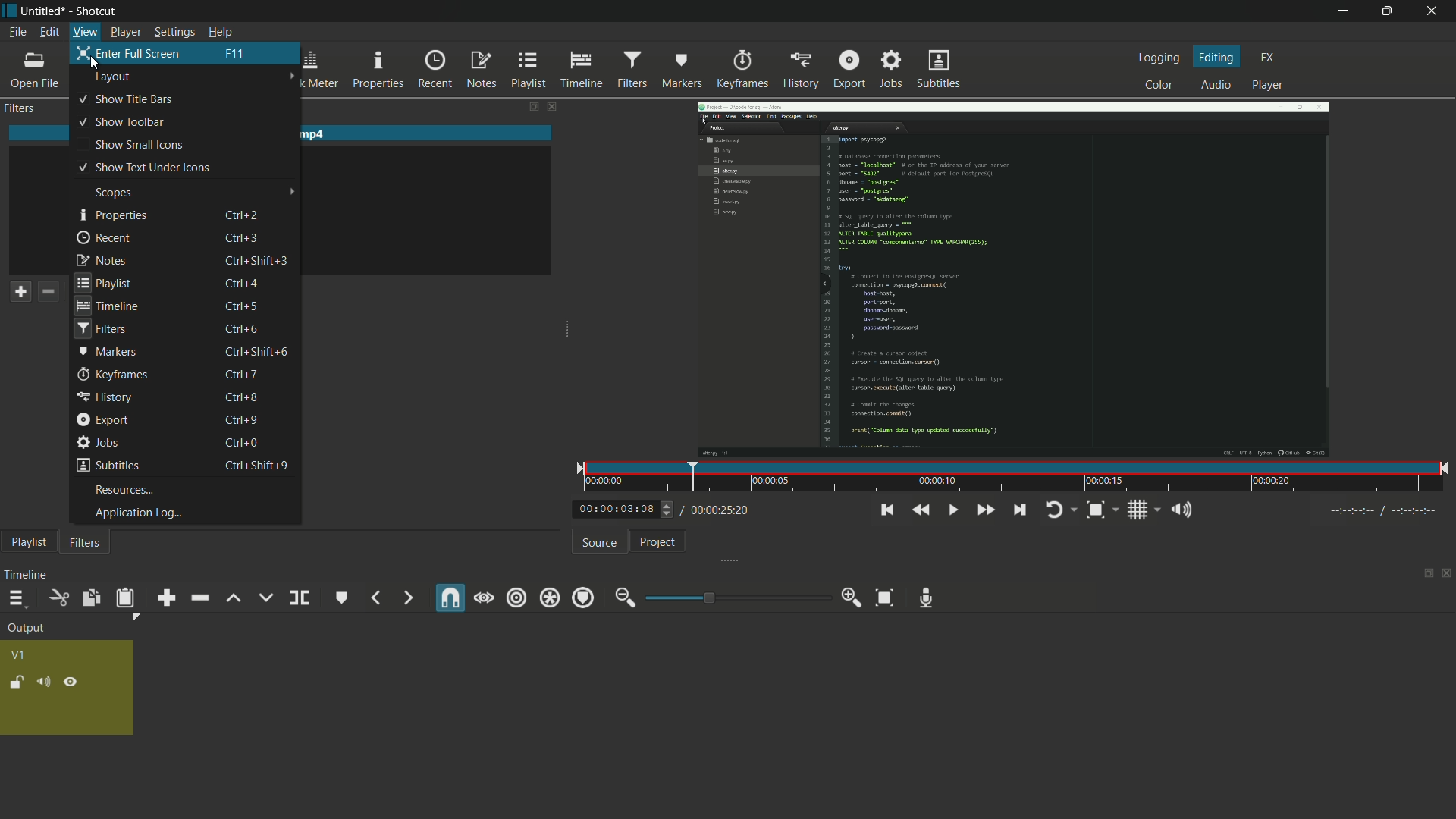 The image size is (1456, 819). Describe the element at coordinates (14, 598) in the screenshot. I see `timeline menu` at that location.